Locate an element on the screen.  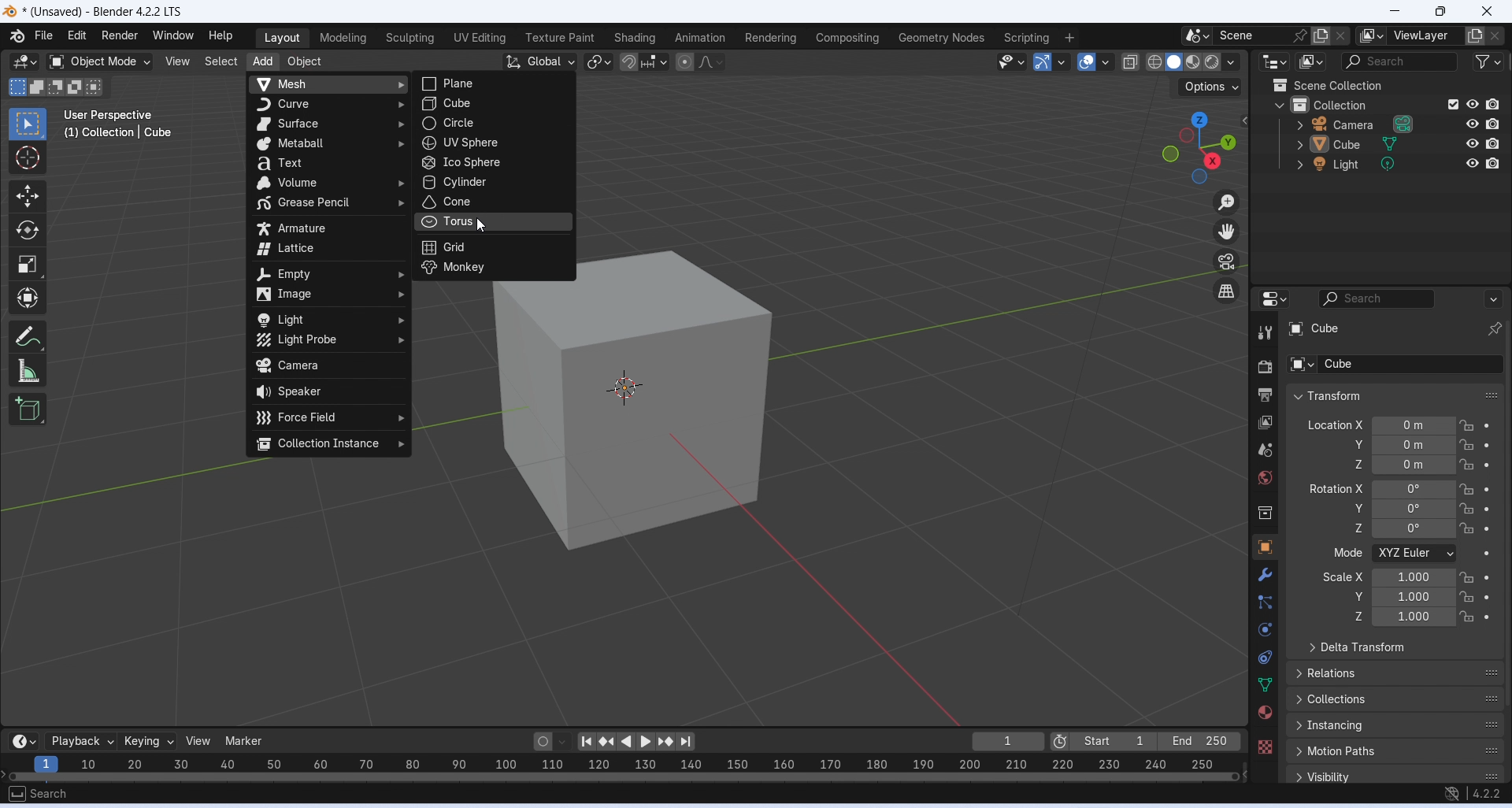
Rotation X axis is located at coordinates (1336, 487).